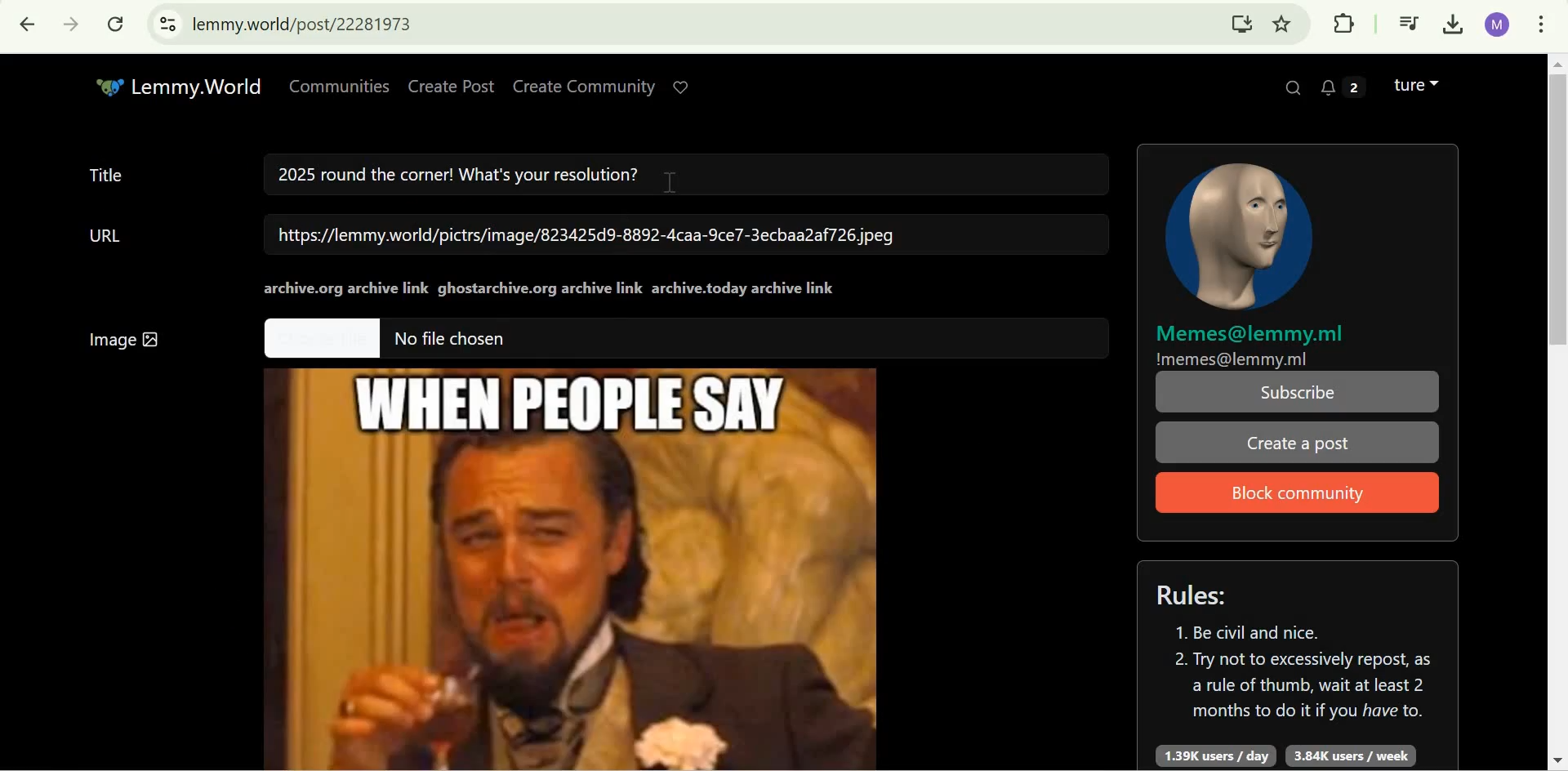 This screenshot has width=1568, height=771. Describe the element at coordinates (1251, 335) in the screenshot. I see `Memes@lemmy.ml` at that location.